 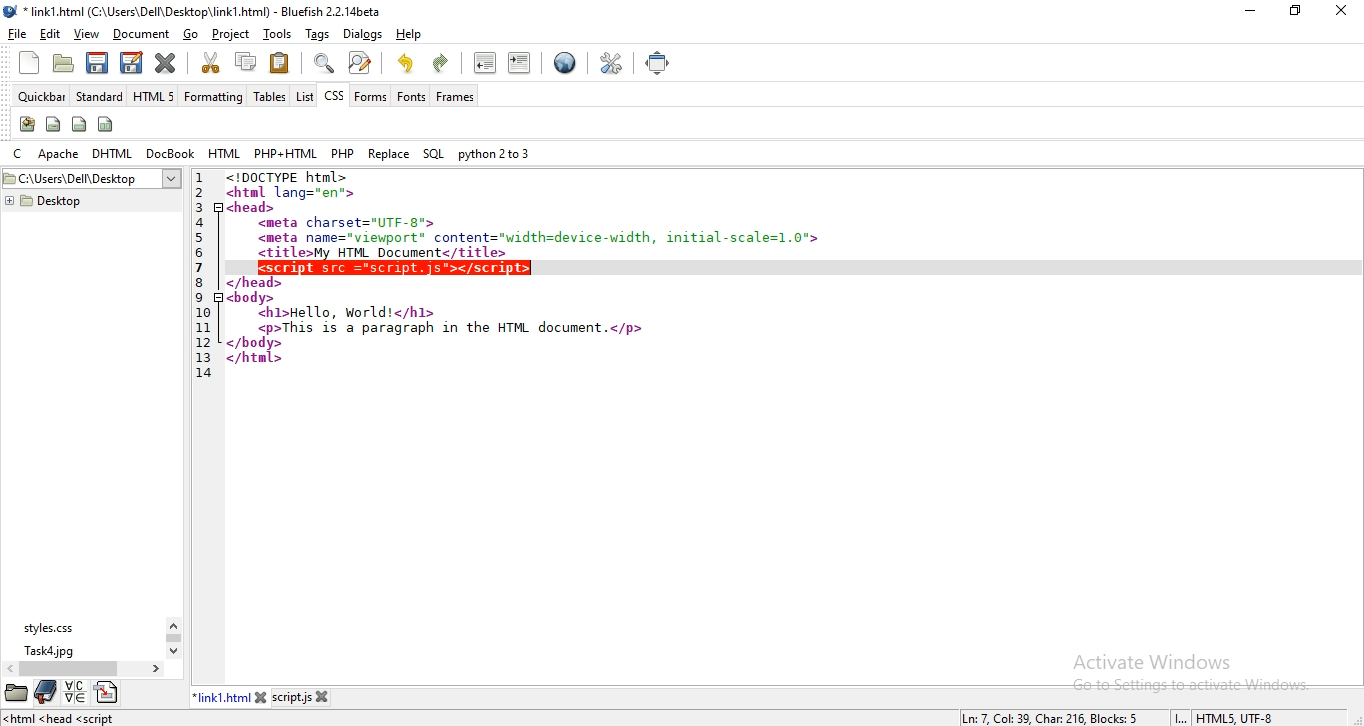 I want to click on file, so click(x=17, y=32).